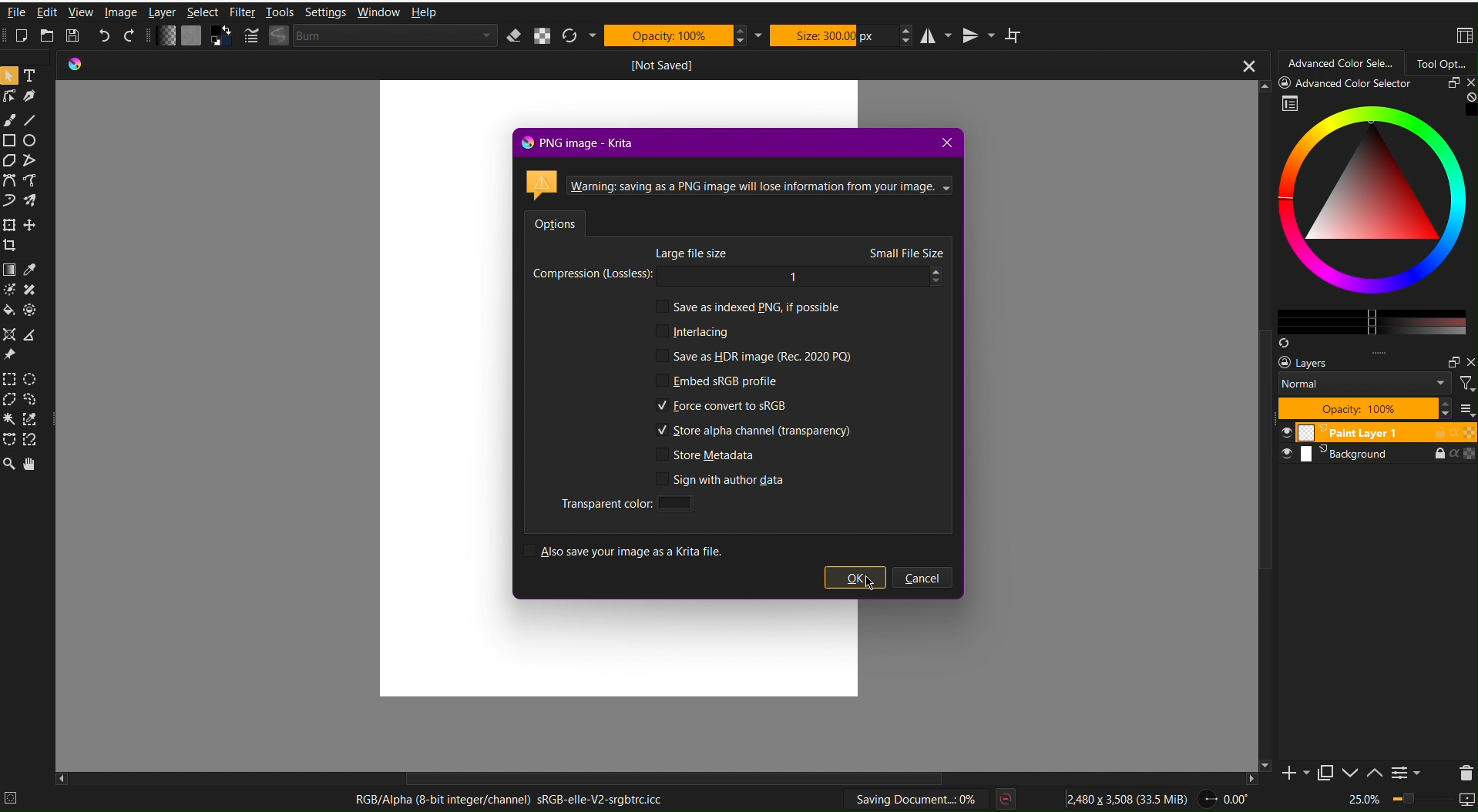 The image size is (1478, 812). What do you see at coordinates (1409, 800) in the screenshot?
I see `Zoom` at bounding box center [1409, 800].